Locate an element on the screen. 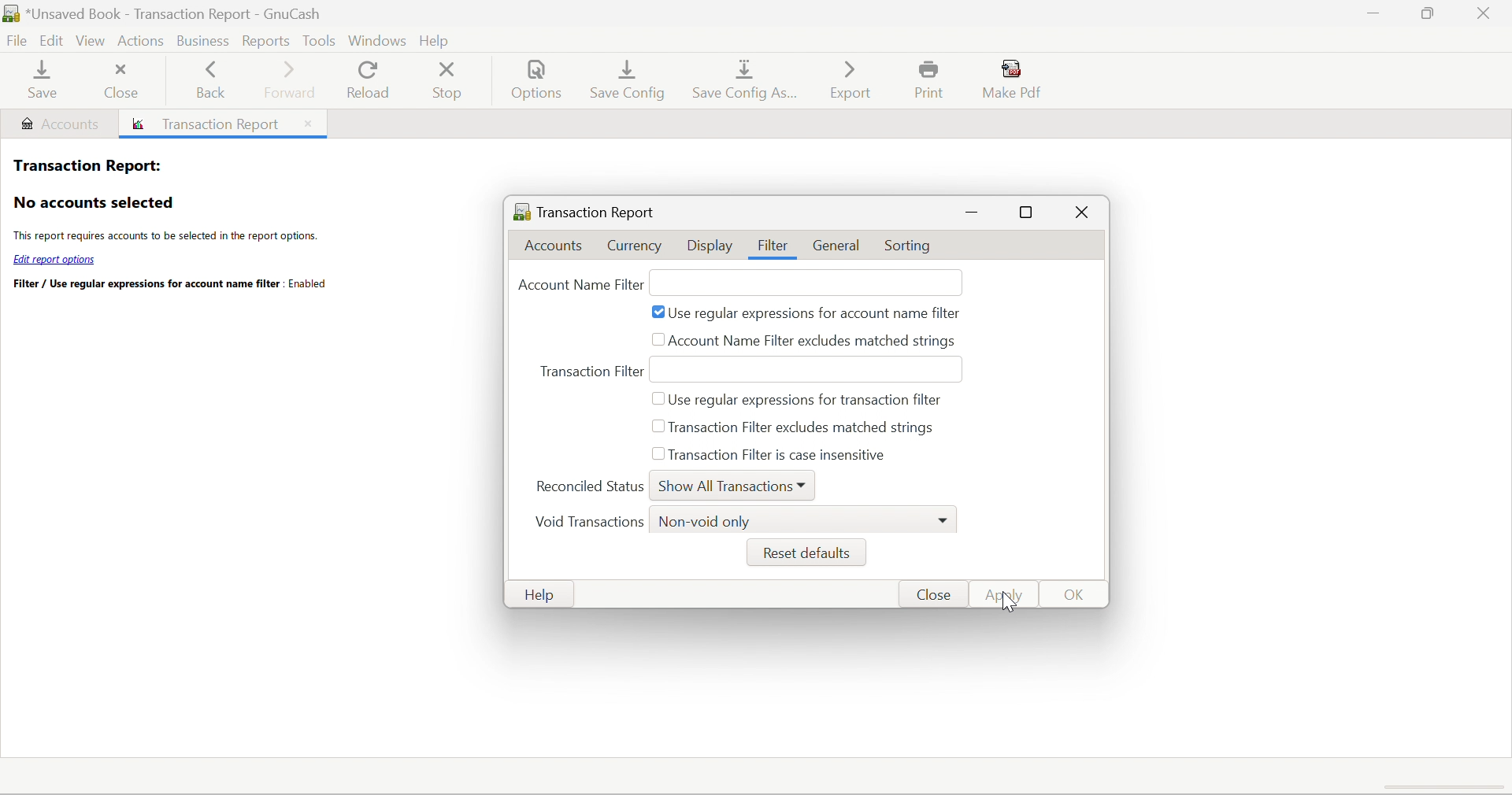 Image resolution: width=1512 pixels, height=795 pixels. Accounts is located at coordinates (59, 124).